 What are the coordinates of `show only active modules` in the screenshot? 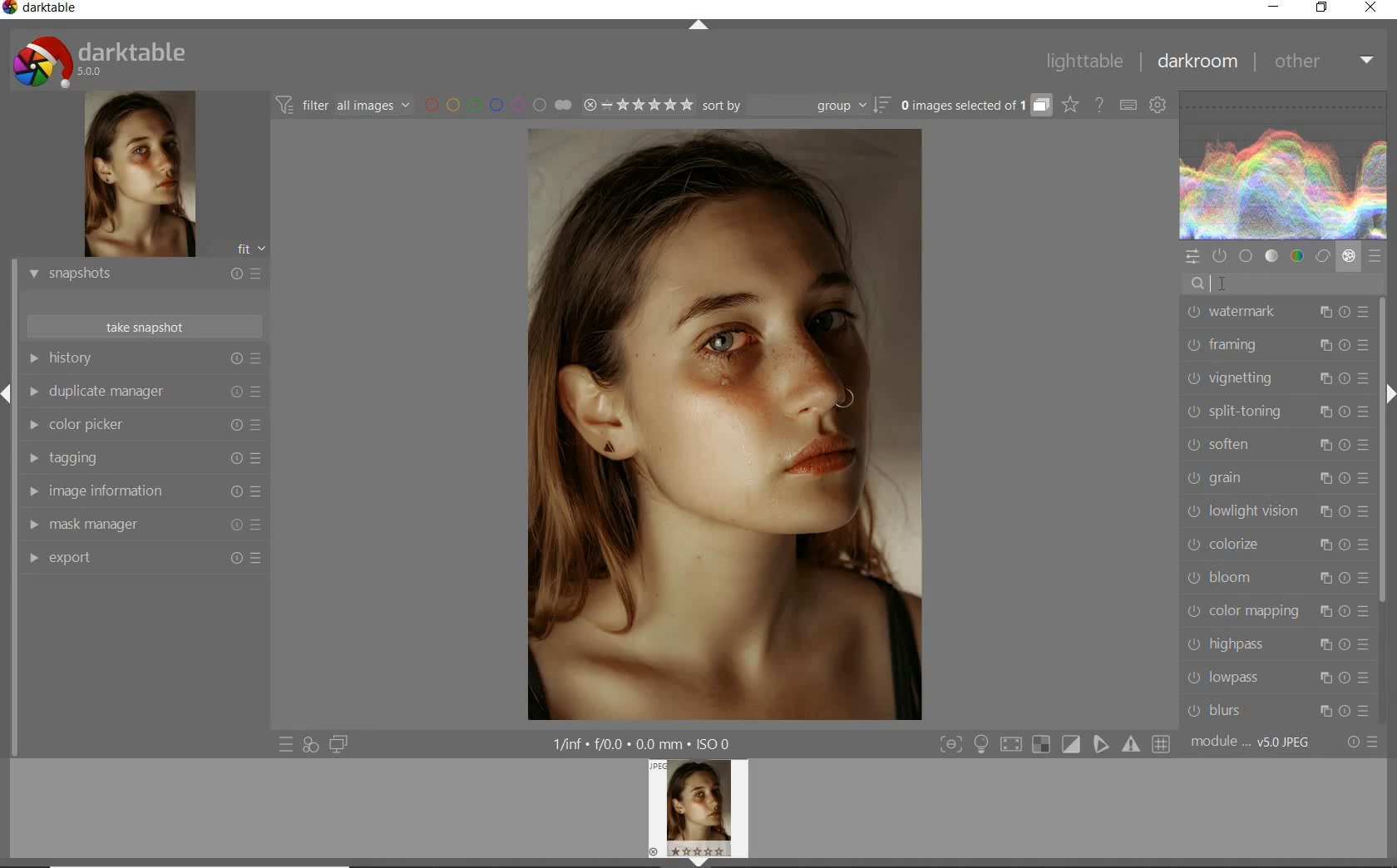 It's located at (1219, 257).